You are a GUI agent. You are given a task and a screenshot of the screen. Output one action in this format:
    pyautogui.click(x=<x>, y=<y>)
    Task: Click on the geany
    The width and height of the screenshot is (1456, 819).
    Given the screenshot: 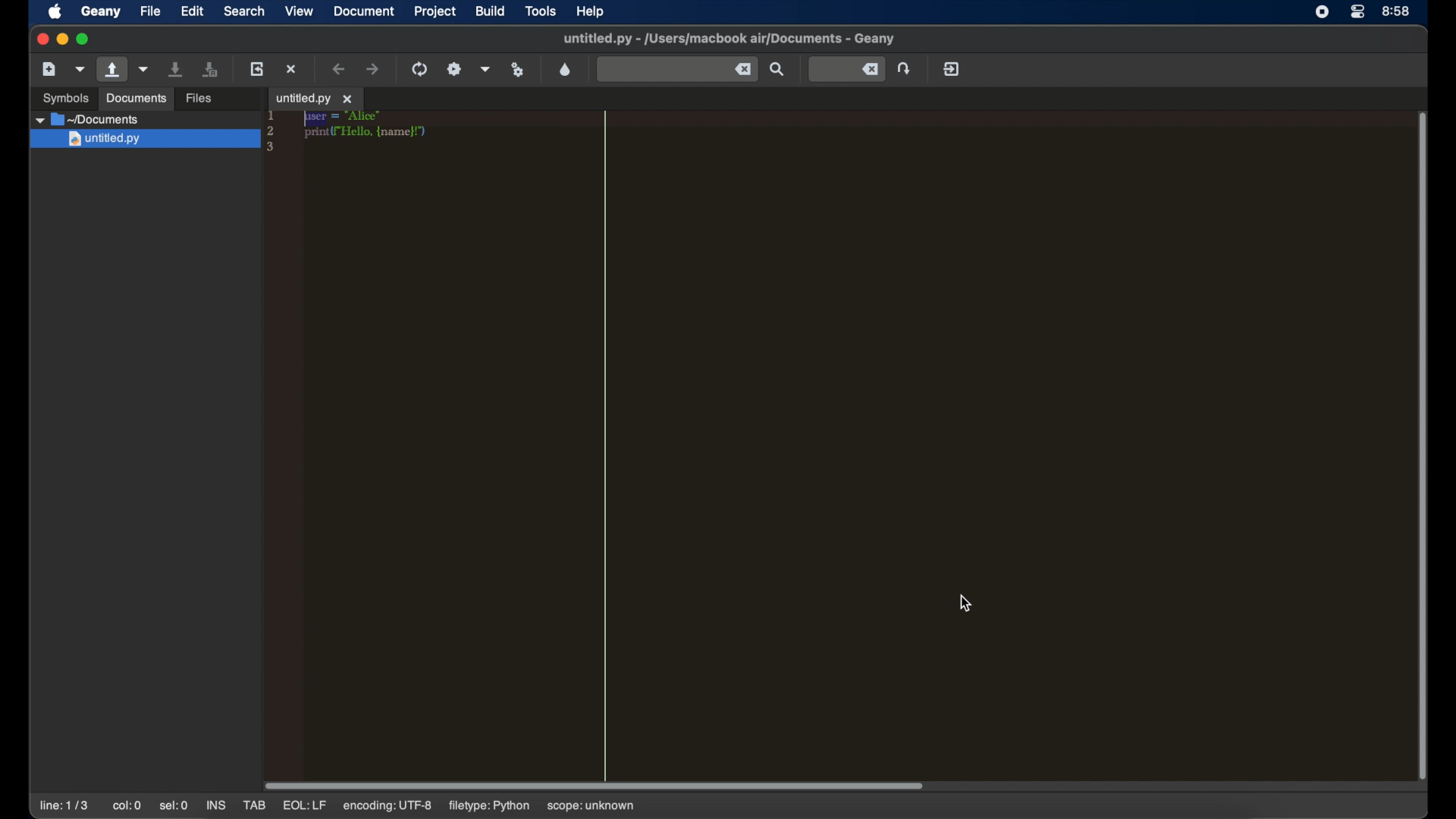 What is the action you would take?
    pyautogui.click(x=99, y=12)
    